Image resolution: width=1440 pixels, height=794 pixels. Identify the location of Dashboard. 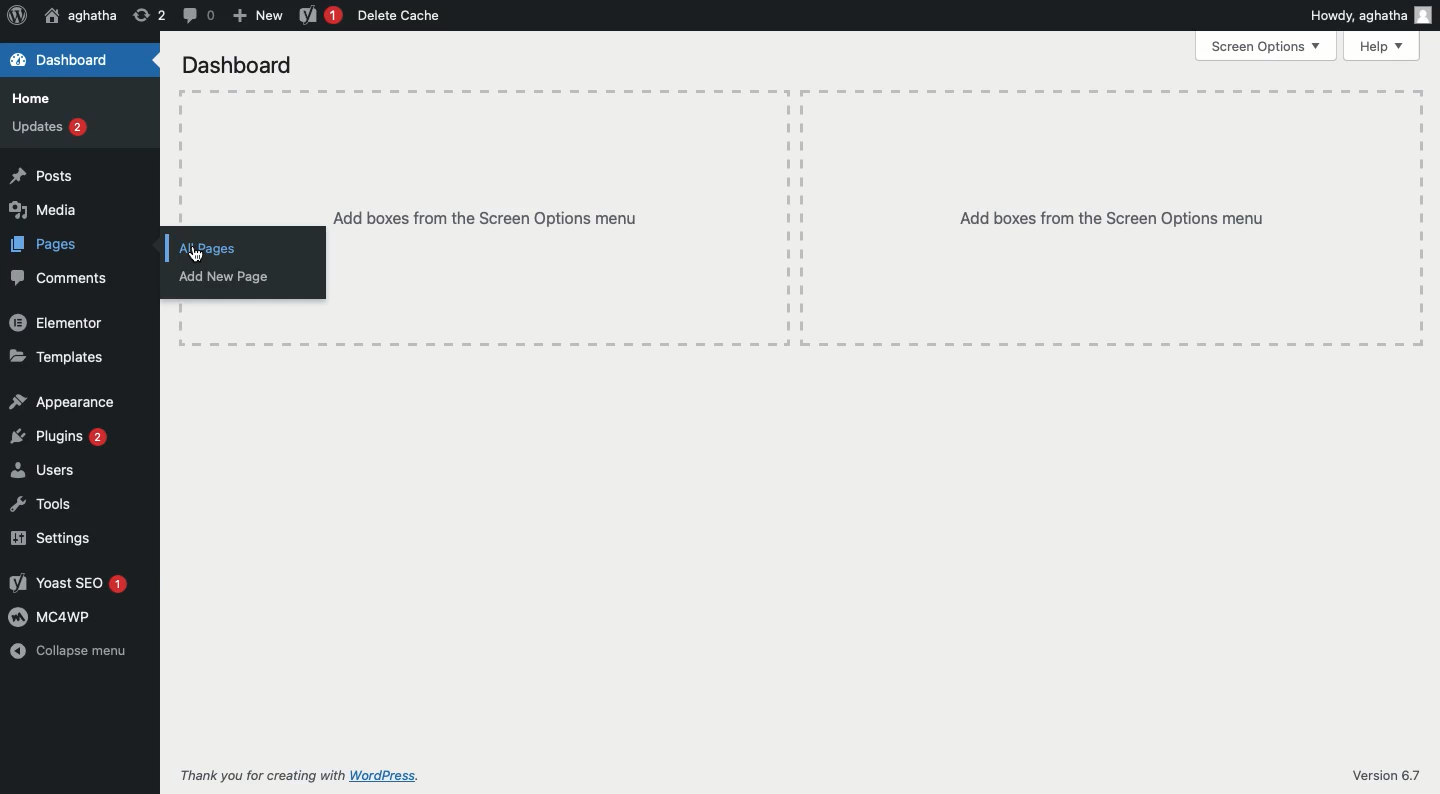
(62, 61).